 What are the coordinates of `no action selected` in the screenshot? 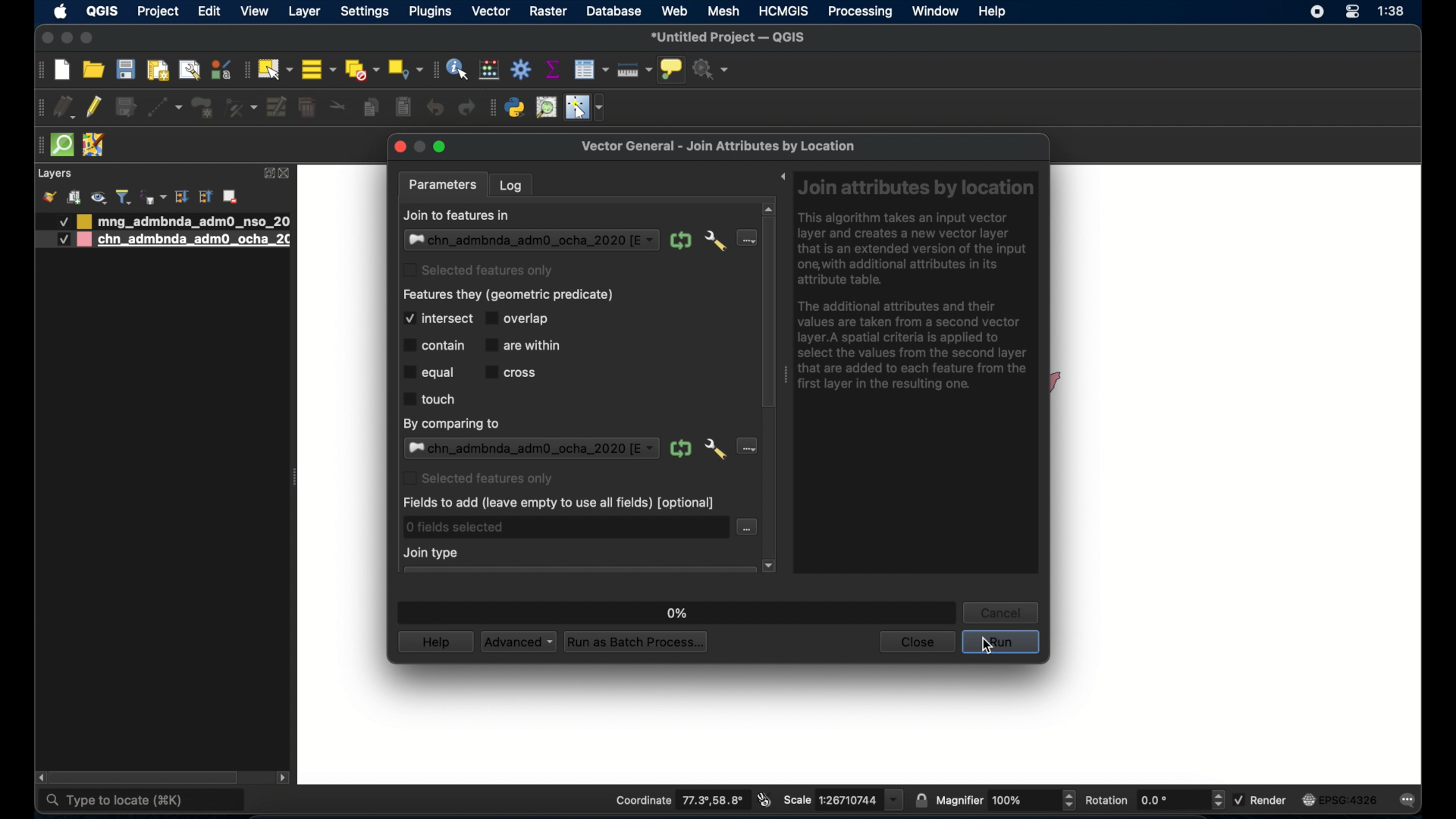 It's located at (714, 71).